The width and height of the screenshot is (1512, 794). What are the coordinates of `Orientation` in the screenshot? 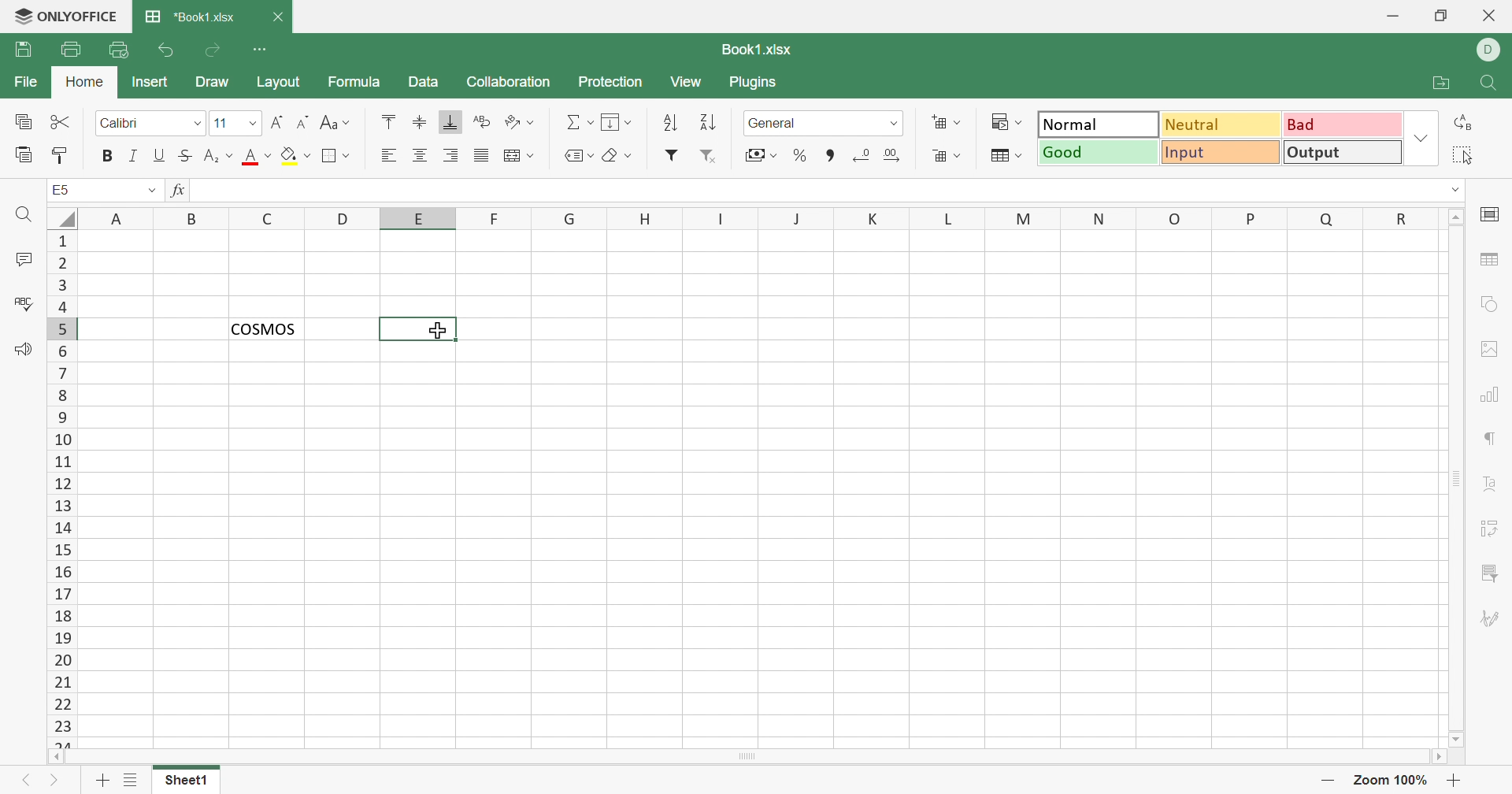 It's located at (519, 123).